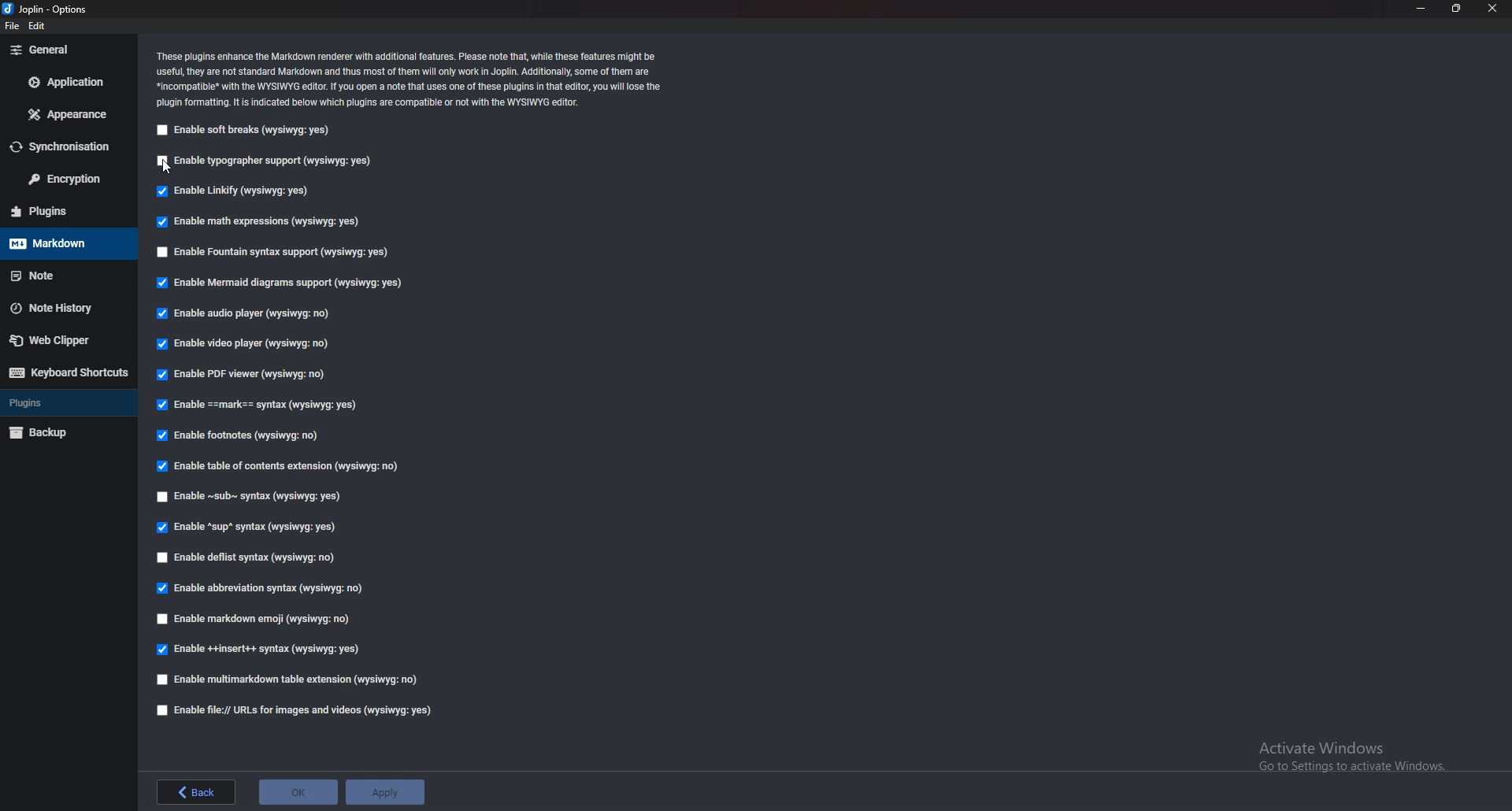  Describe the element at coordinates (301, 710) in the screenshot. I see `Enable file urls for images` at that location.